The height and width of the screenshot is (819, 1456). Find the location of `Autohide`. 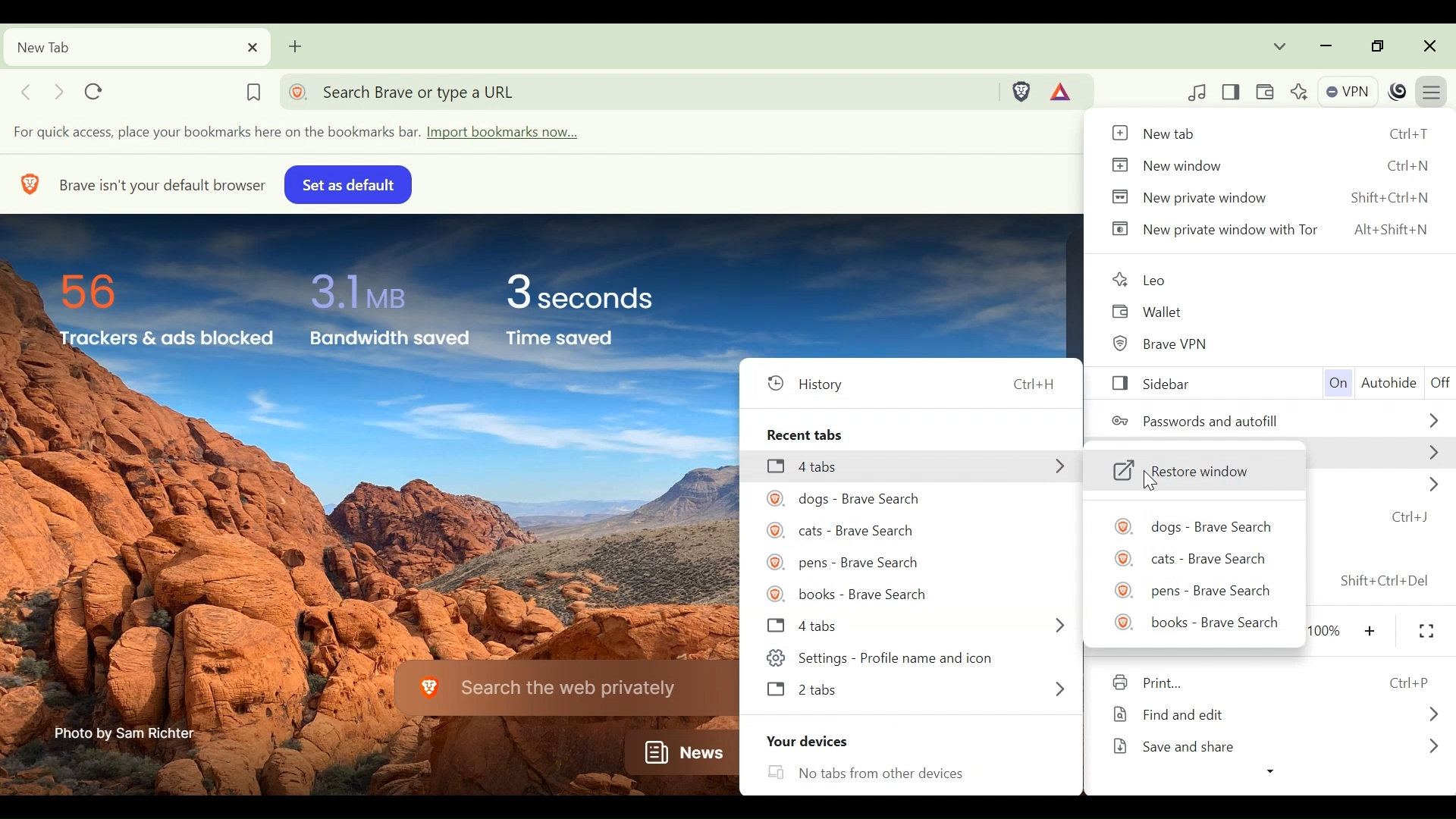

Autohide is located at coordinates (1389, 386).